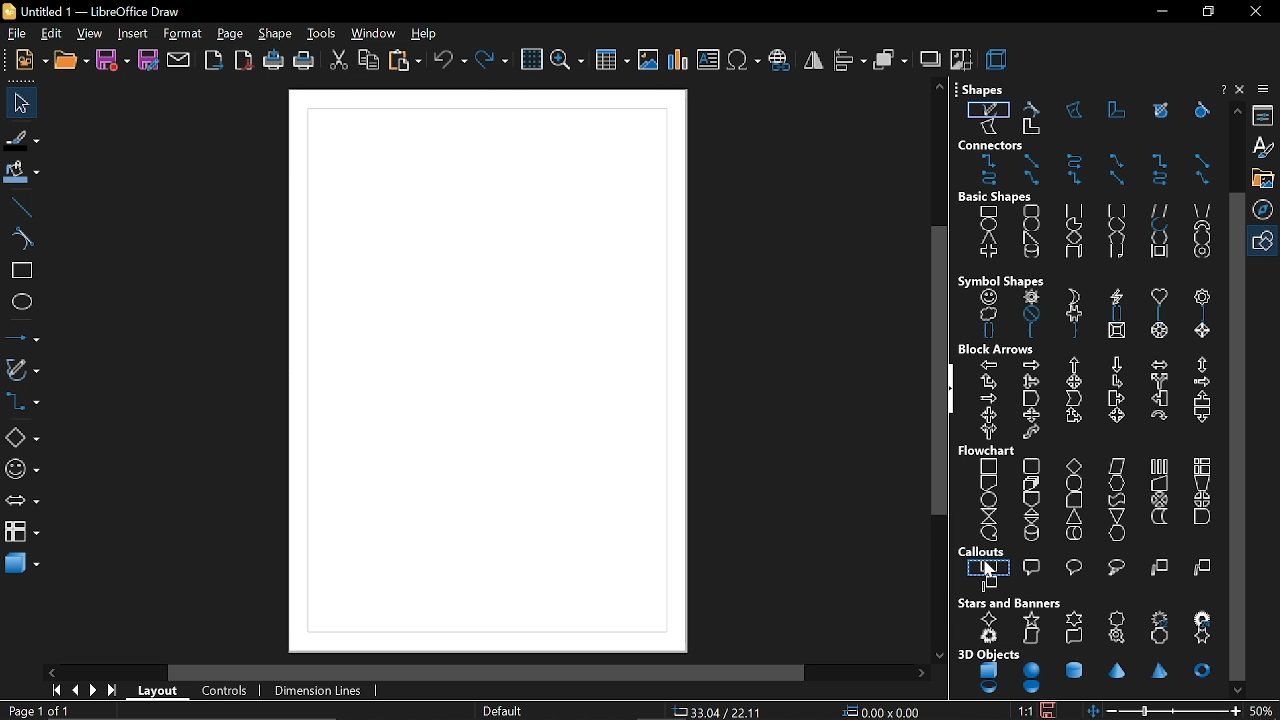 The image size is (1280, 720). I want to click on copy, so click(369, 60).